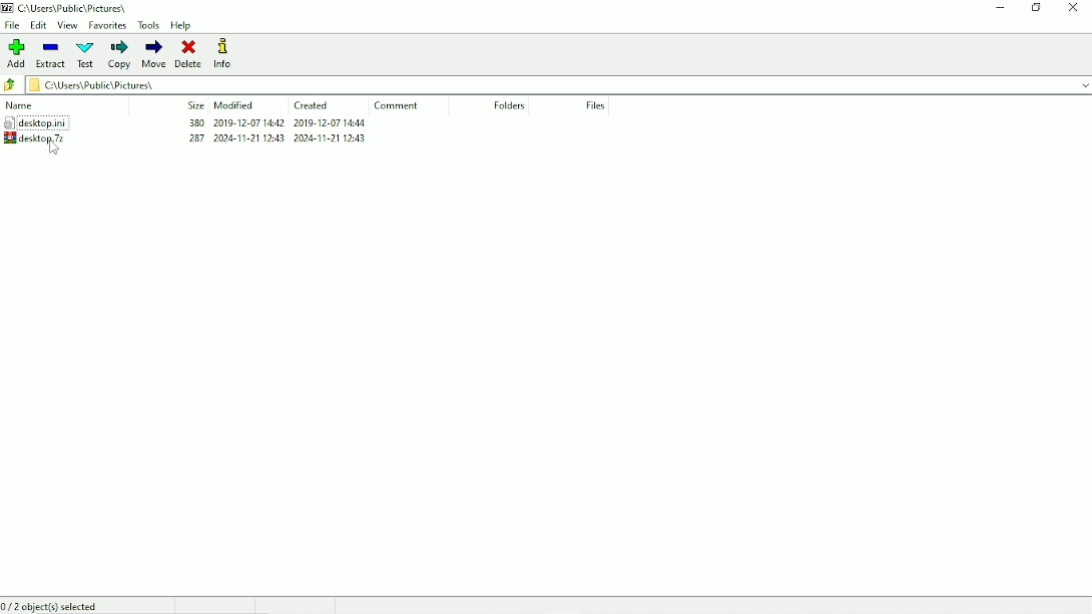 The width and height of the screenshot is (1092, 614). I want to click on Size, so click(195, 105).